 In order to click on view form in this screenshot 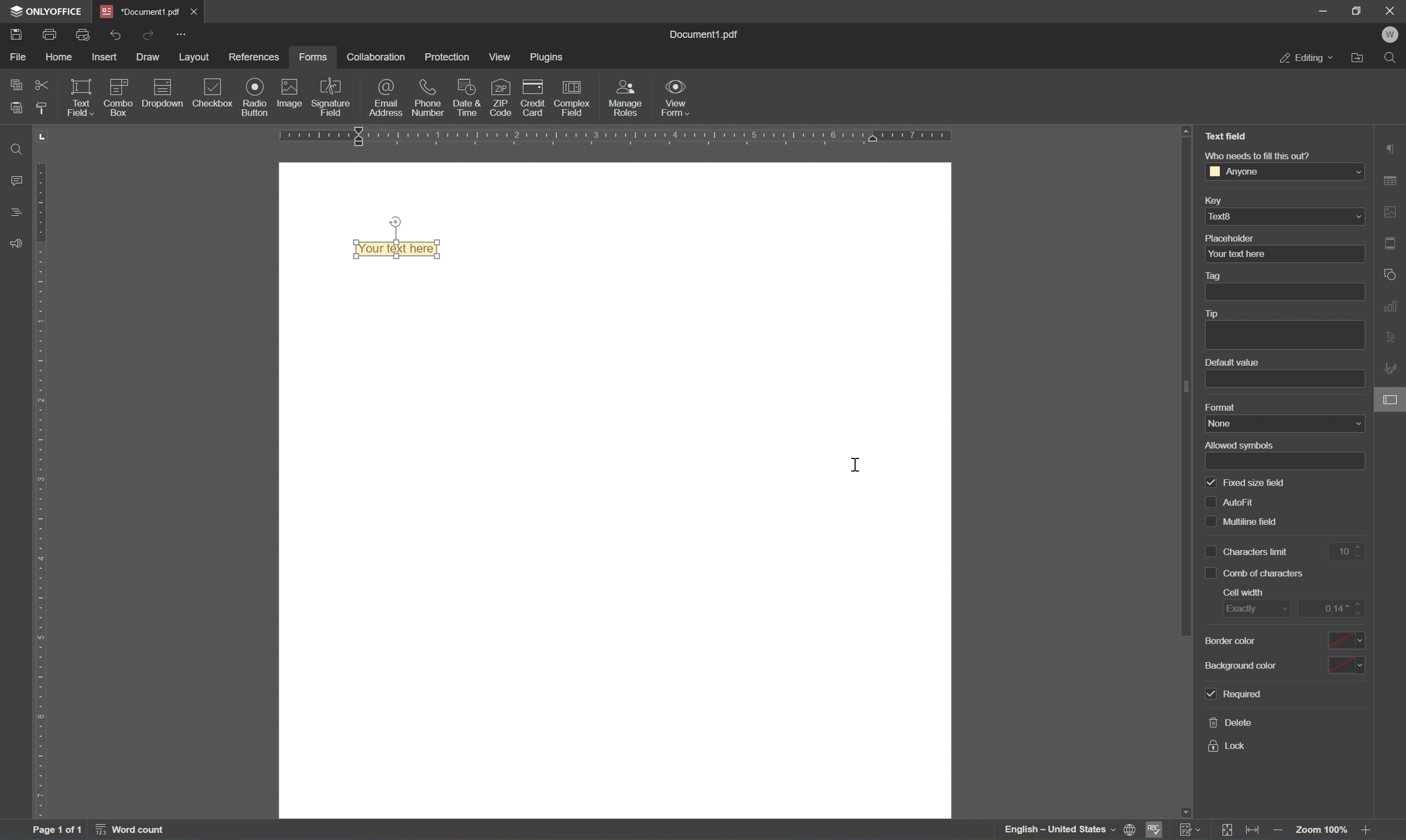, I will do `click(677, 97)`.